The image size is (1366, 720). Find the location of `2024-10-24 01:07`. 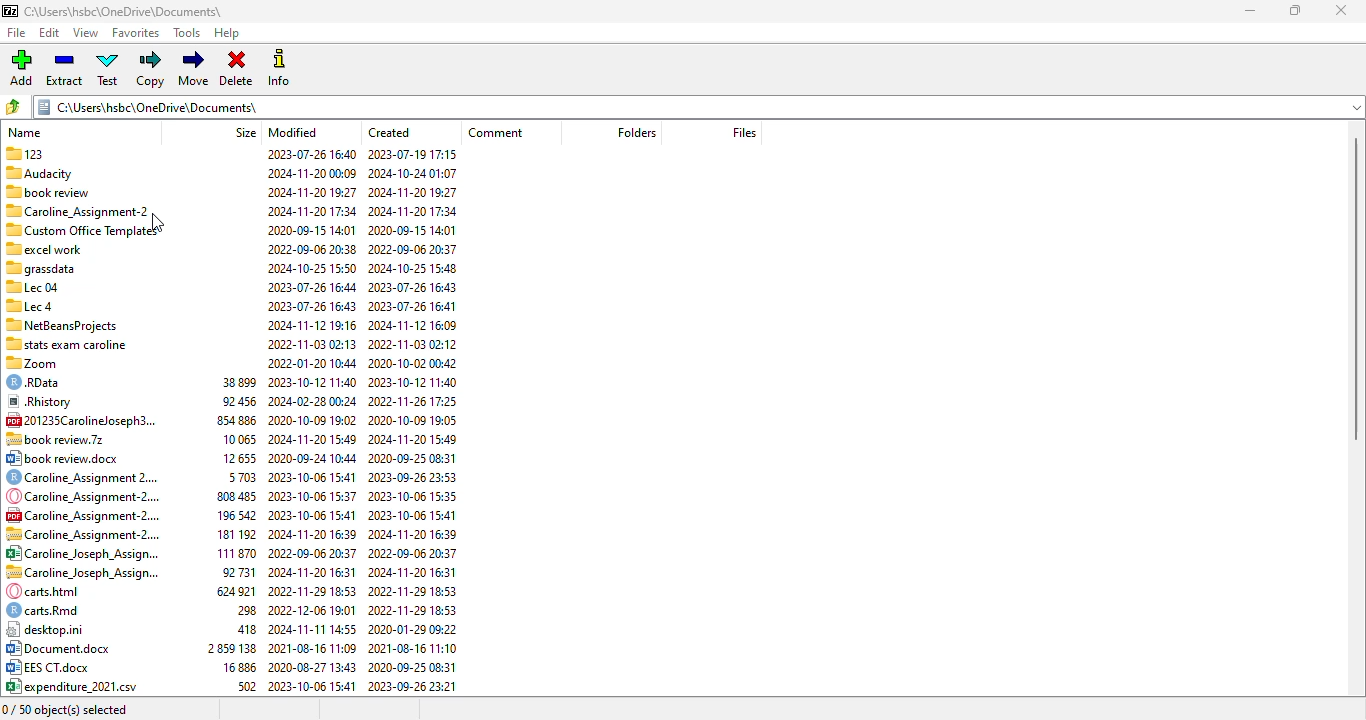

2024-10-24 01:07 is located at coordinates (416, 172).